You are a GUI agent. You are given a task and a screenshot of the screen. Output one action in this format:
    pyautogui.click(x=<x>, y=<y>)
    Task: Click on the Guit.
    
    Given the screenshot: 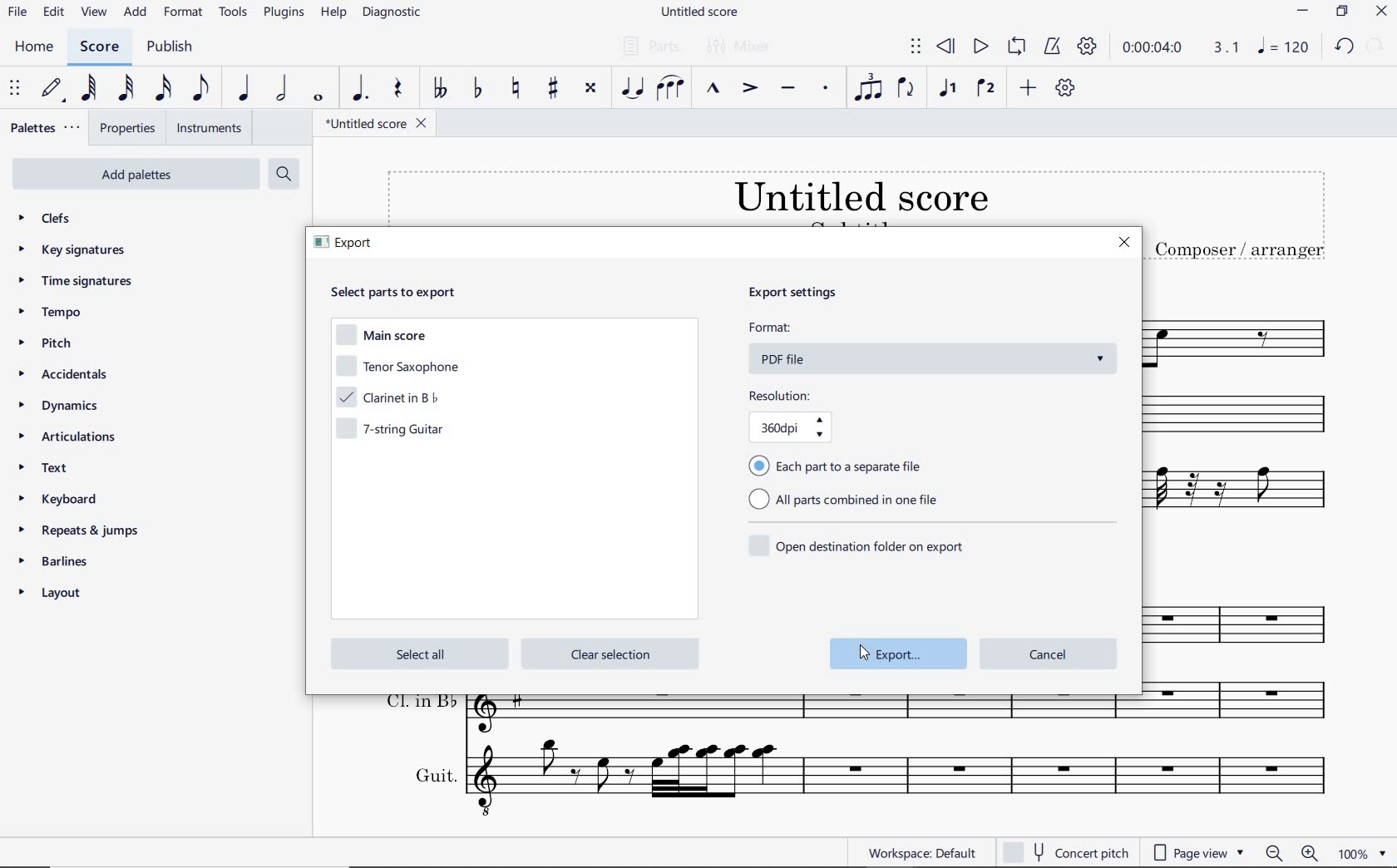 What is the action you would take?
    pyautogui.click(x=858, y=780)
    